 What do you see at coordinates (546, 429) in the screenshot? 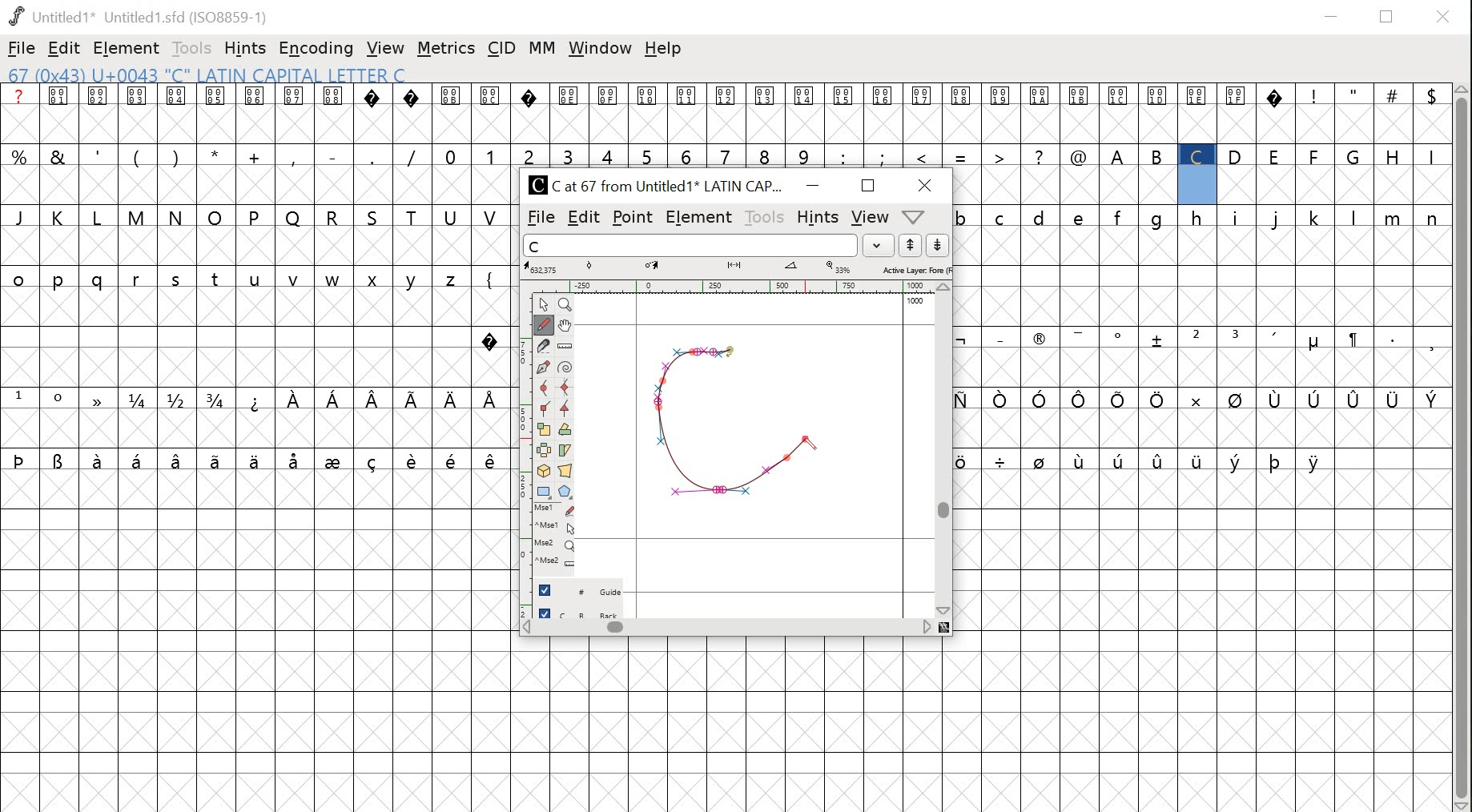
I see `scale` at bounding box center [546, 429].